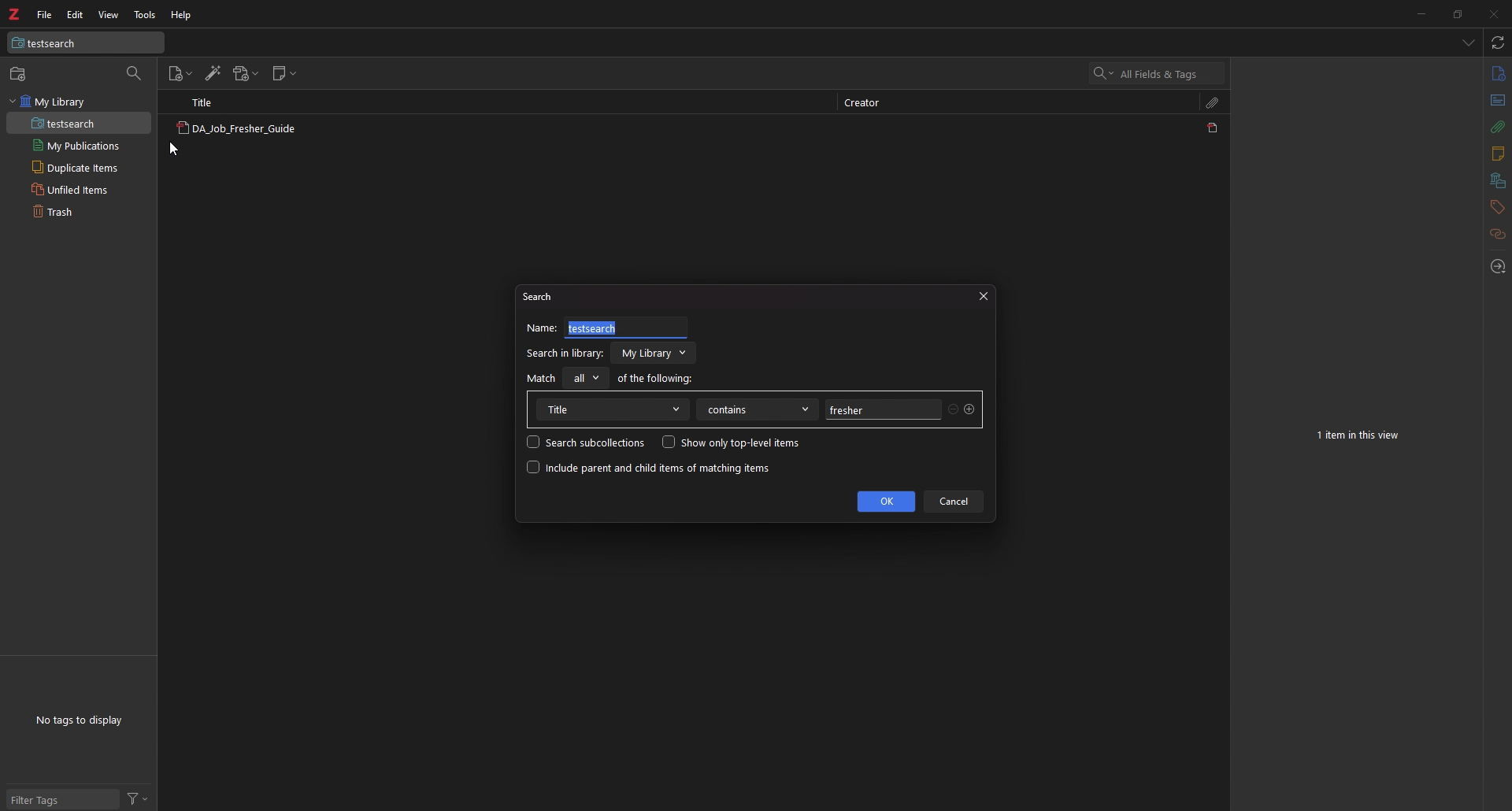 The width and height of the screenshot is (1512, 811). Describe the element at coordinates (1456, 13) in the screenshot. I see `resize` at that location.